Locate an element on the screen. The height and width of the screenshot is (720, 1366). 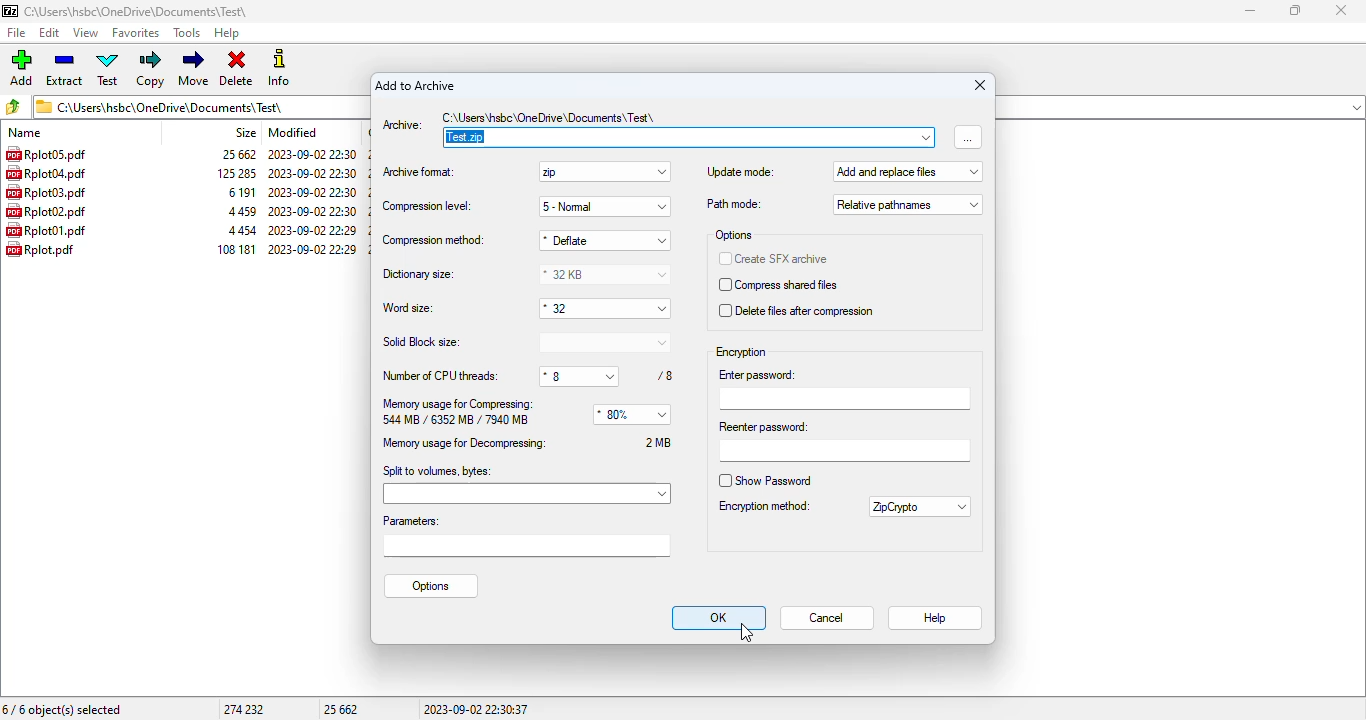
6/6 object(s) selected is located at coordinates (63, 710).